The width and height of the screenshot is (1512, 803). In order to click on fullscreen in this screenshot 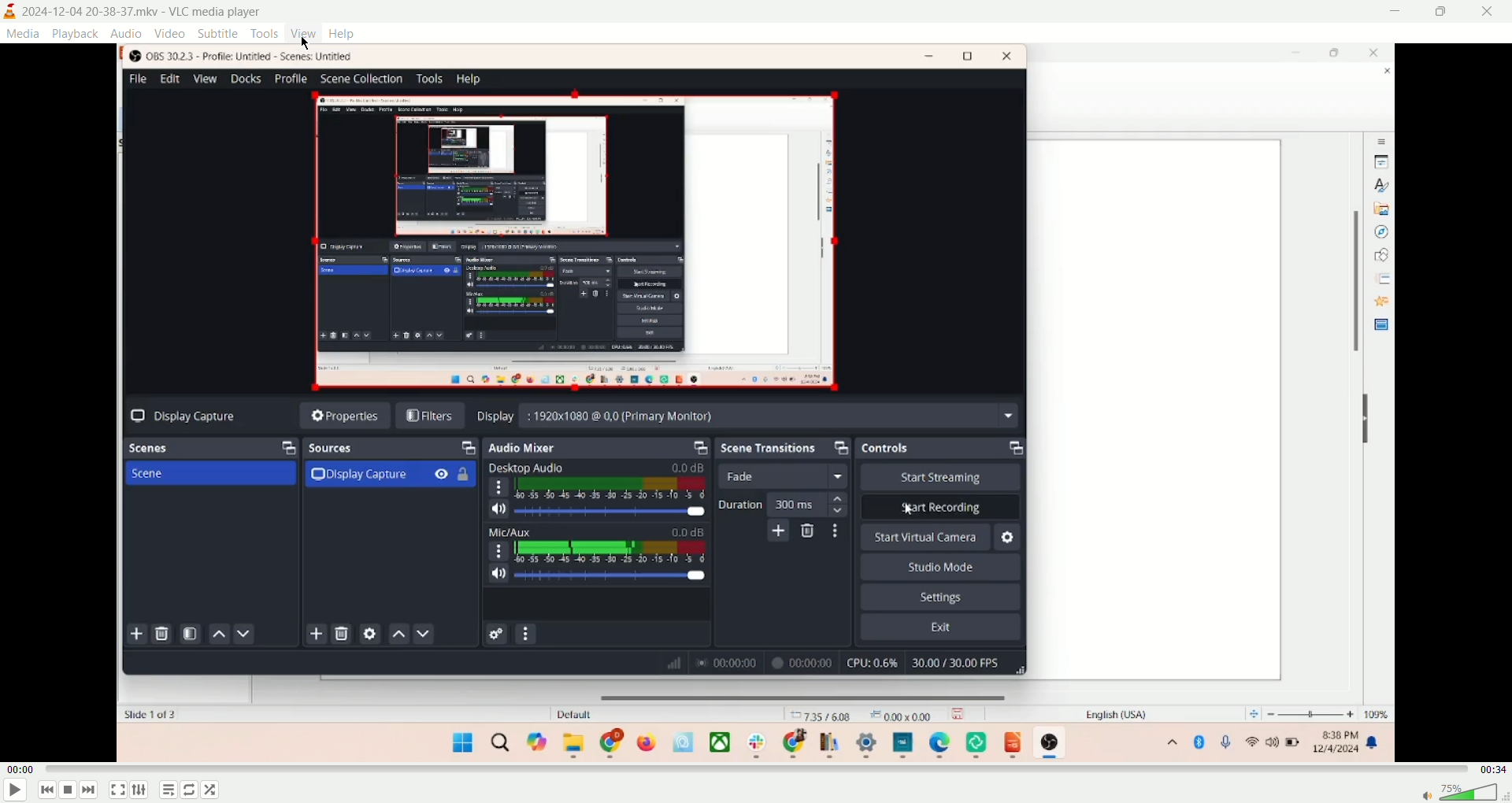, I will do `click(117, 791)`.